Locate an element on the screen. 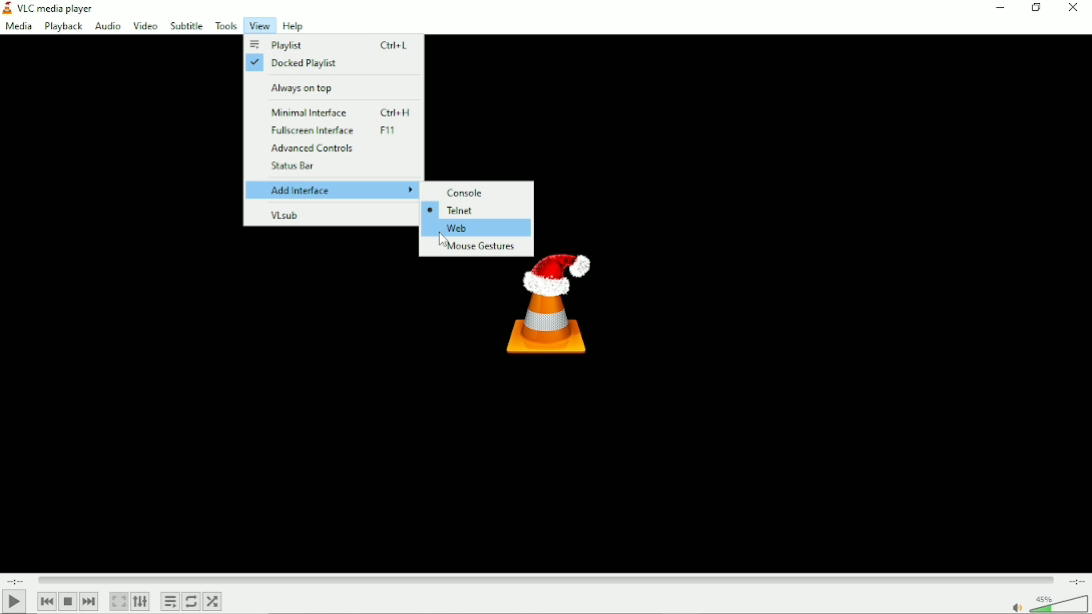  Play duration is located at coordinates (546, 580).